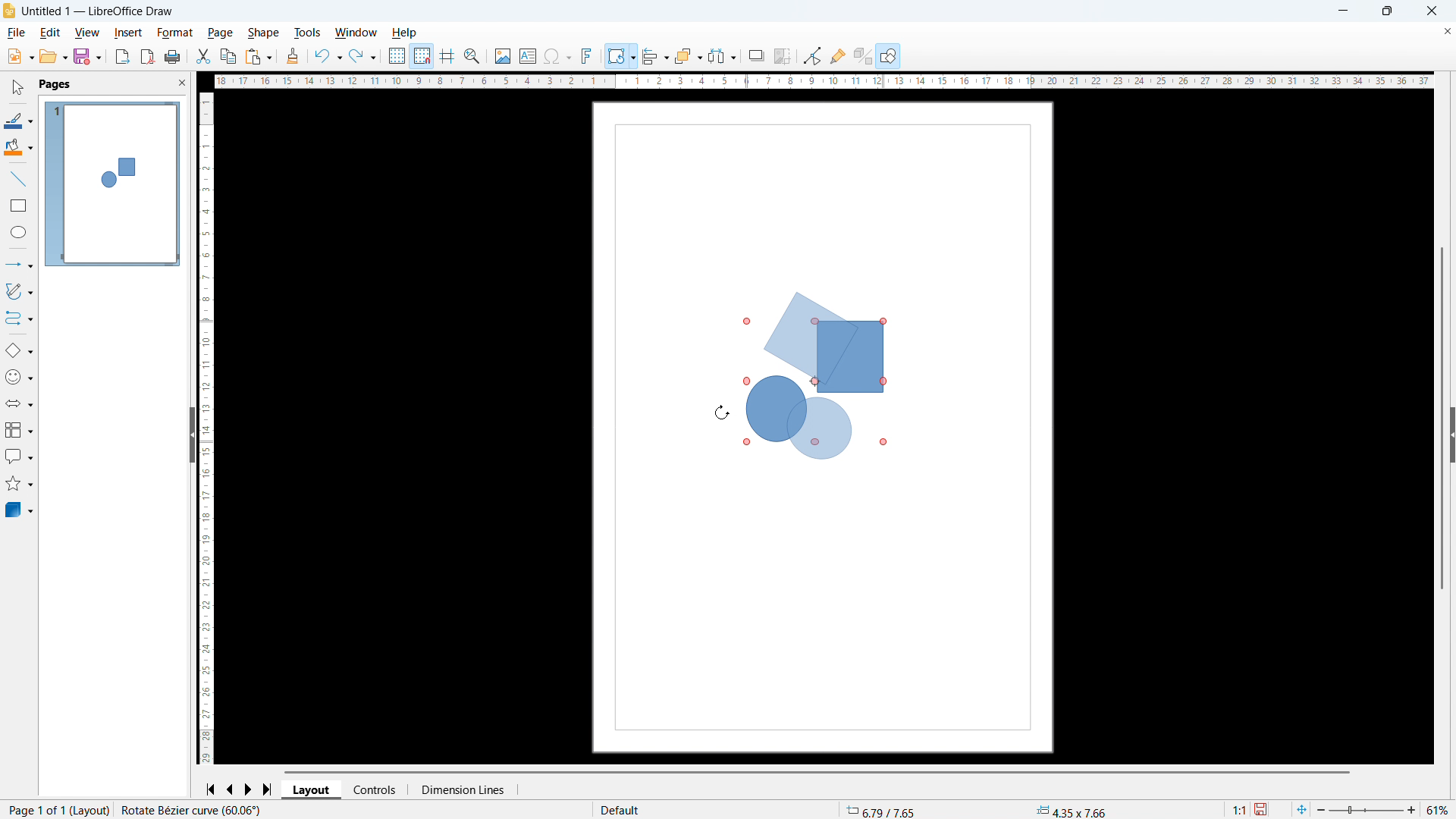 This screenshot has width=1456, height=819. What do you see at coordinates (56, 85) in the screenshot?
I see `Pages ` at bounding box center [56, 85].